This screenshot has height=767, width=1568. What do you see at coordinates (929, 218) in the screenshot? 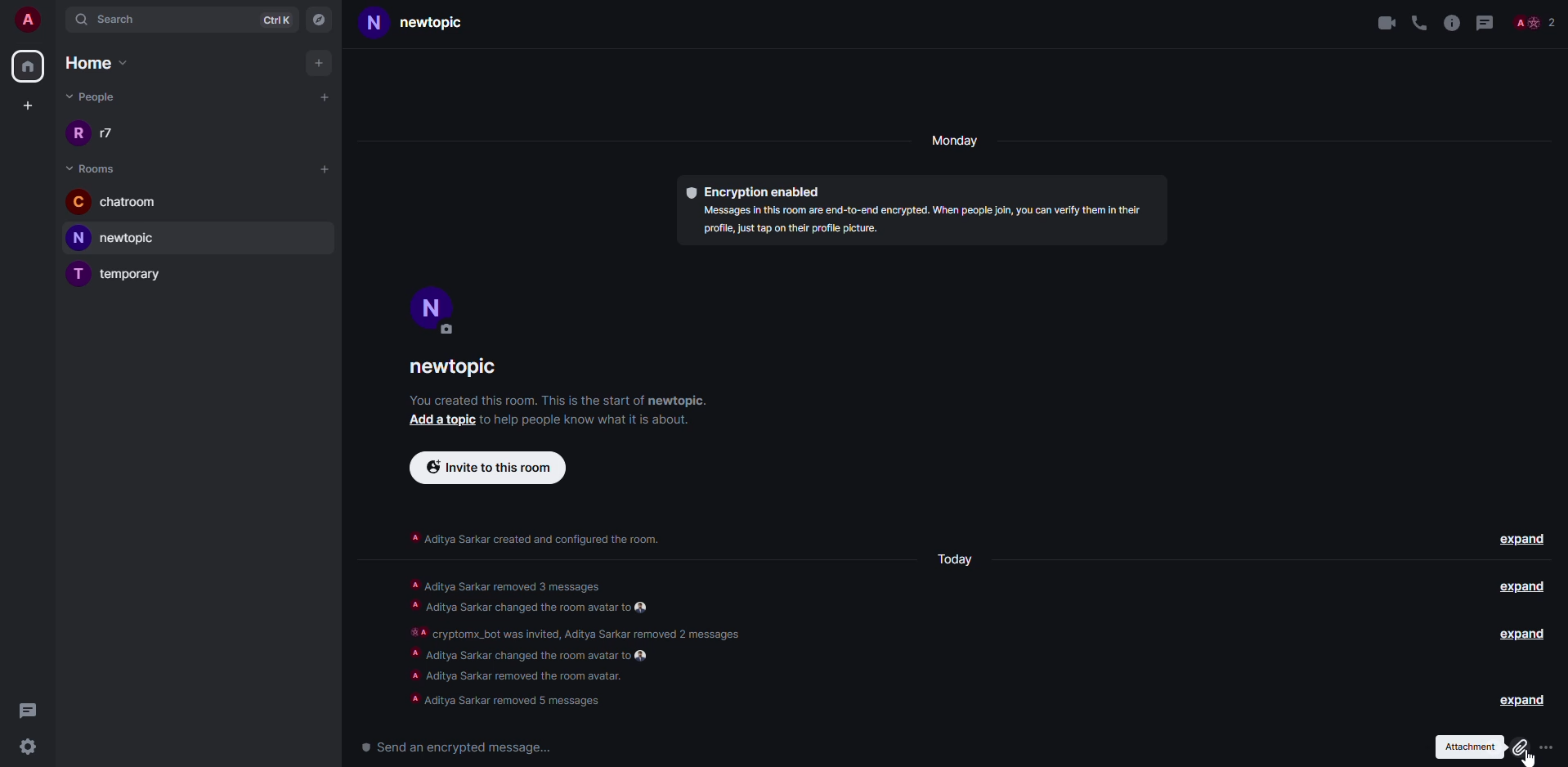
I see `info` at bounding box center [929, 218].